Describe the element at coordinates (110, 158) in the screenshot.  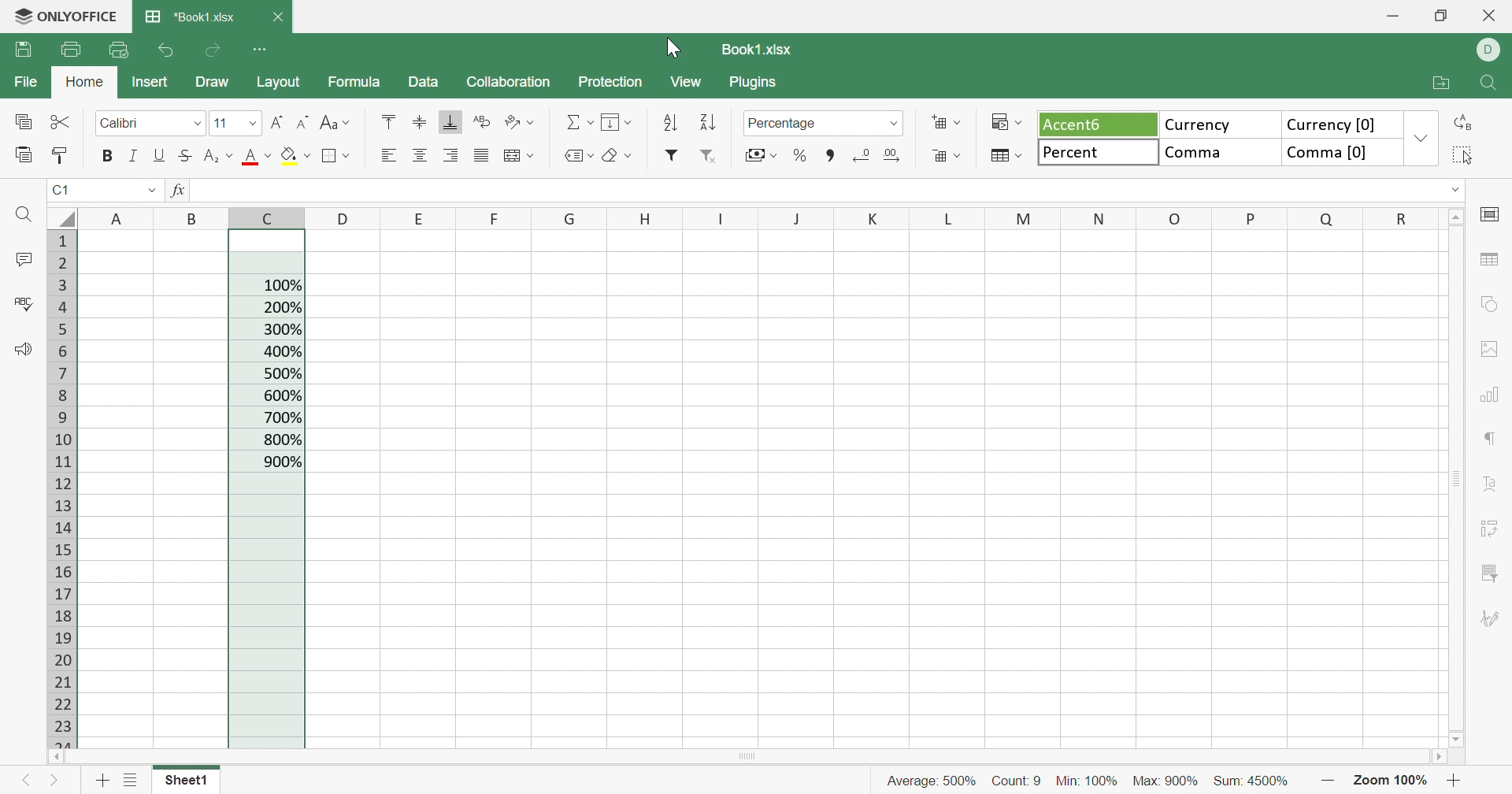
I see `Bold` at that location.